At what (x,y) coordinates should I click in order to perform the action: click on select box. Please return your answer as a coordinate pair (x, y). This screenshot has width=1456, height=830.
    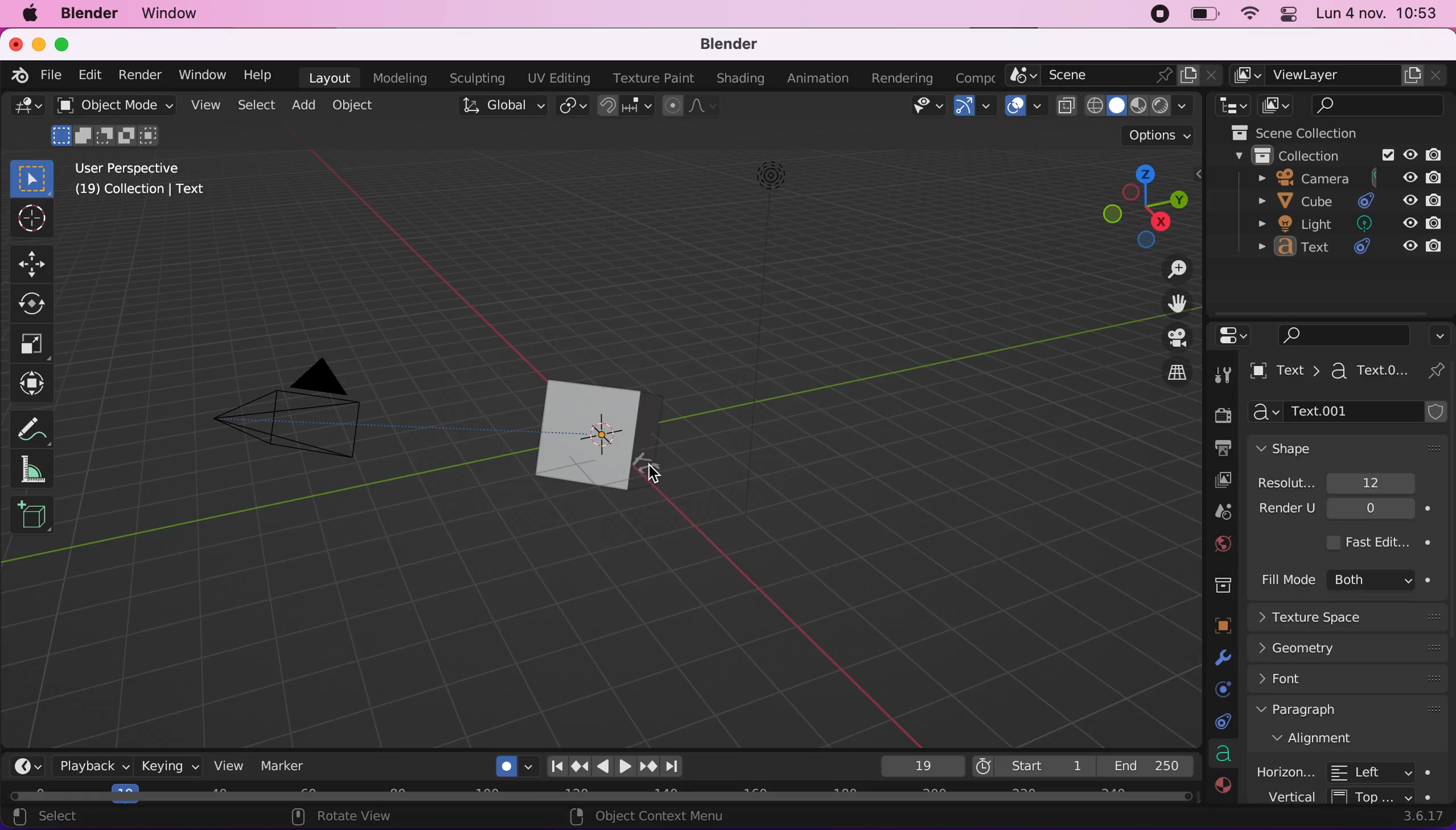
    Looking at the image, I should click on (32, 177).